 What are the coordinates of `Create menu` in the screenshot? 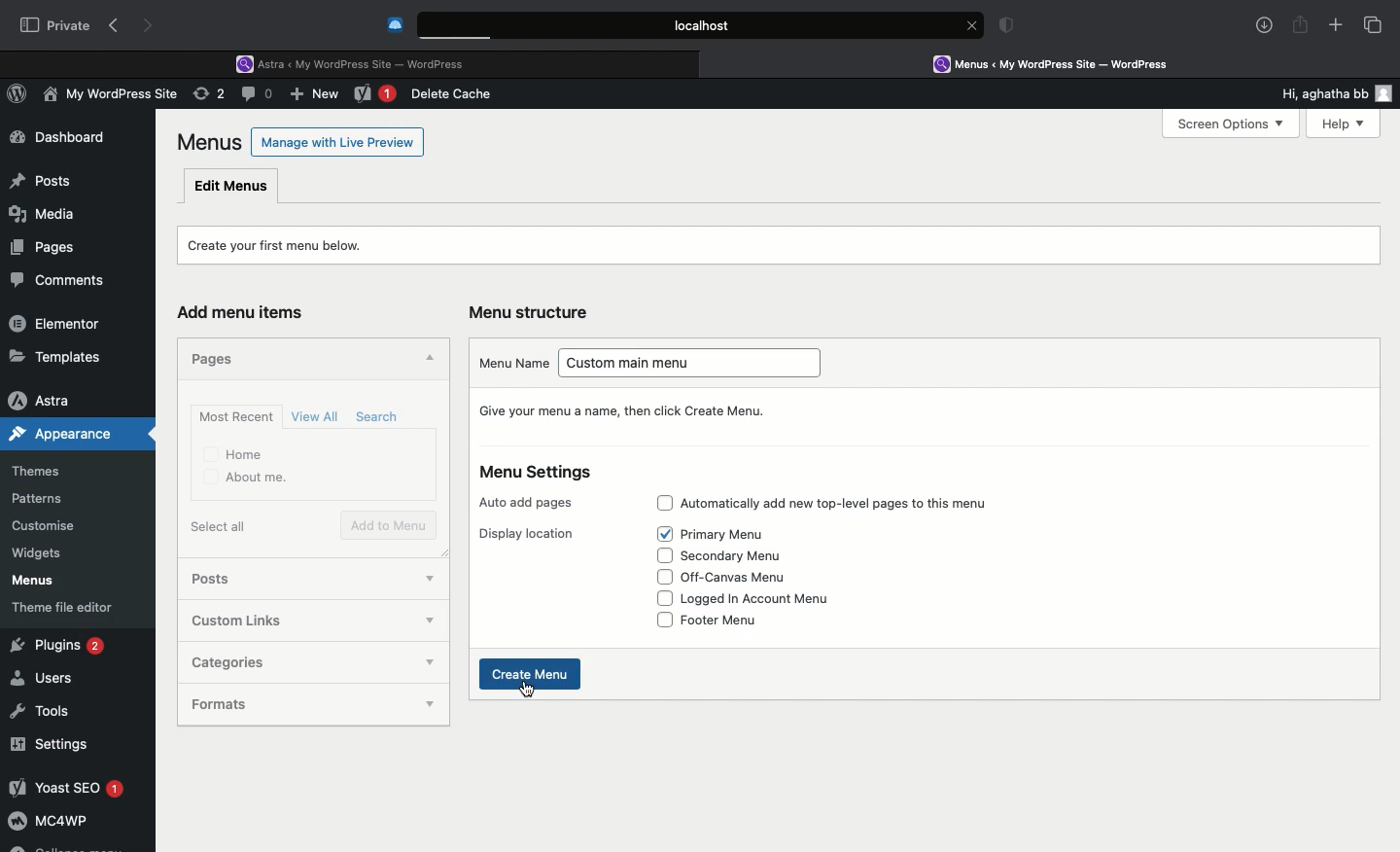 It's located at (533, 674).